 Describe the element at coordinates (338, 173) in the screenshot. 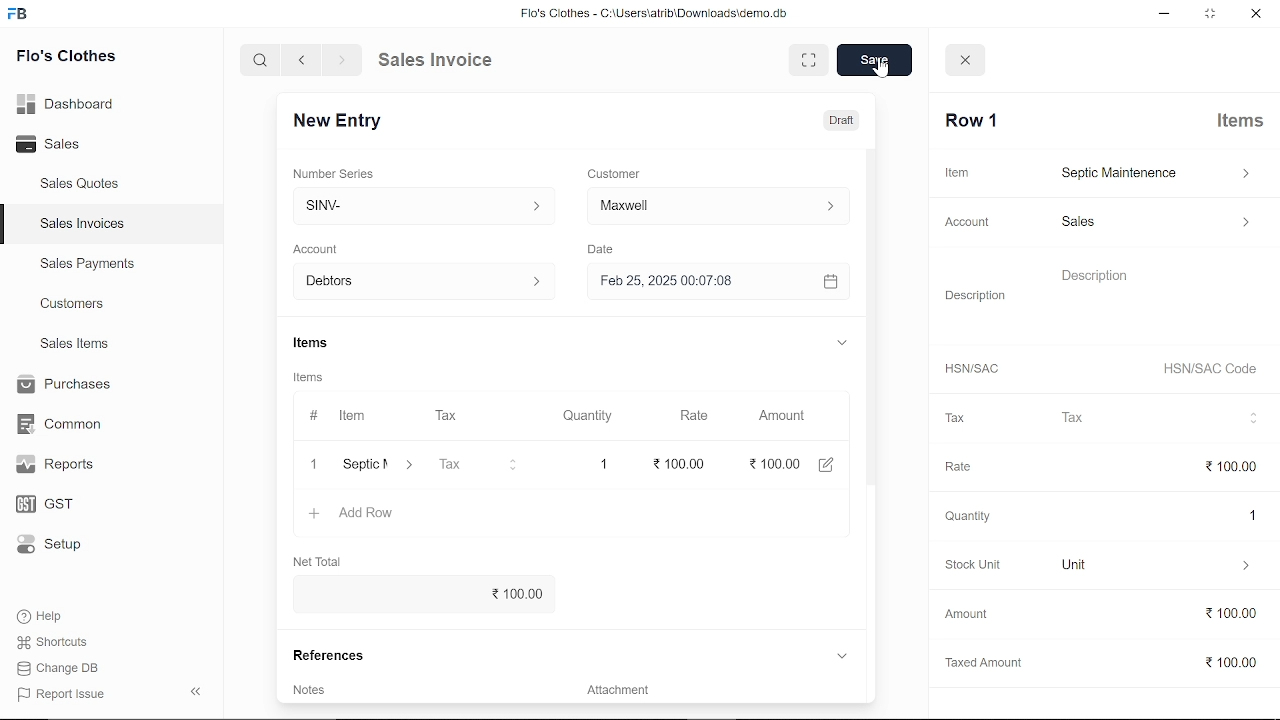

I see `‘Number Series` at that location.